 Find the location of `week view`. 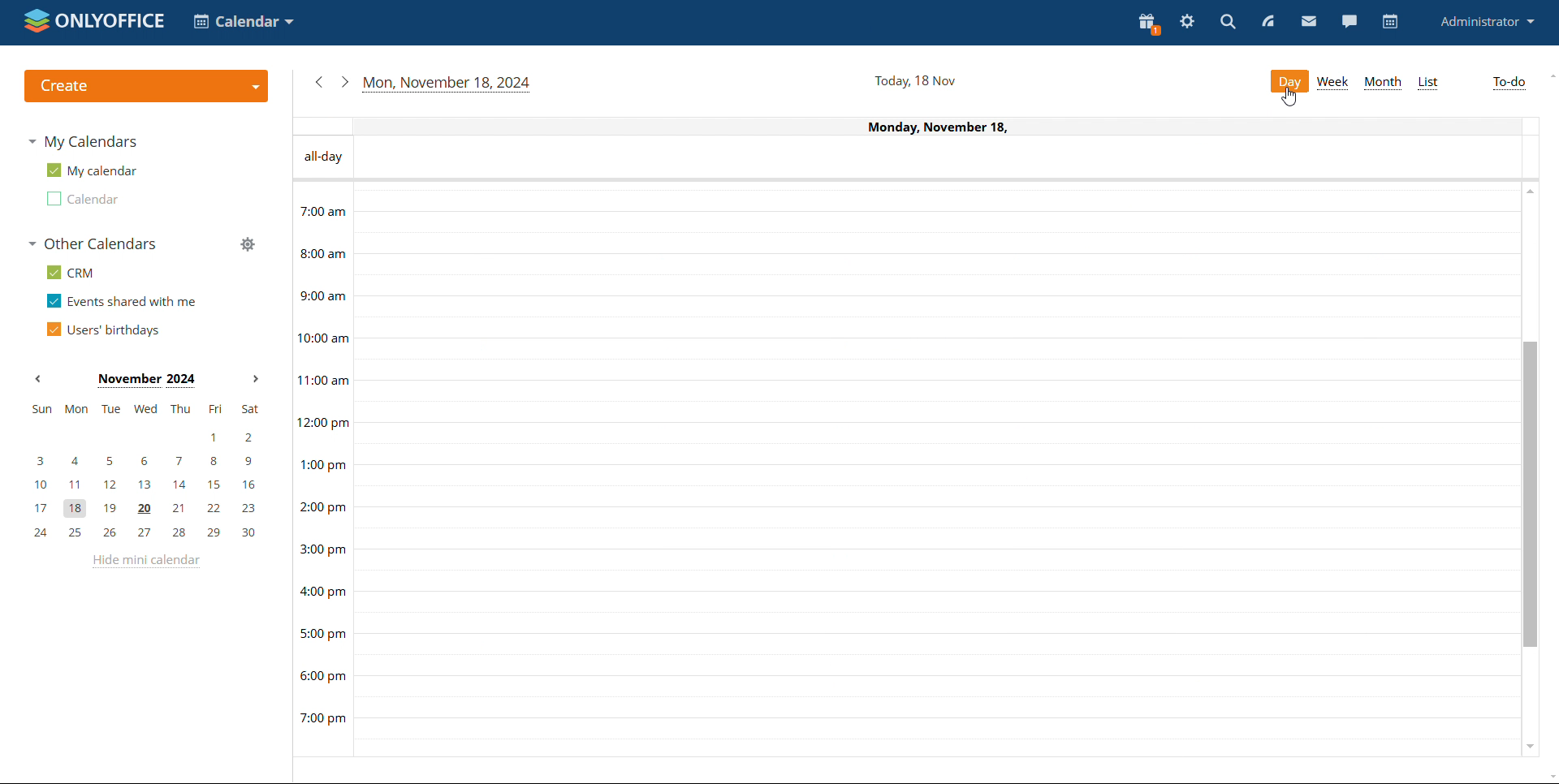

week view is located at coordinates (1333, 82).